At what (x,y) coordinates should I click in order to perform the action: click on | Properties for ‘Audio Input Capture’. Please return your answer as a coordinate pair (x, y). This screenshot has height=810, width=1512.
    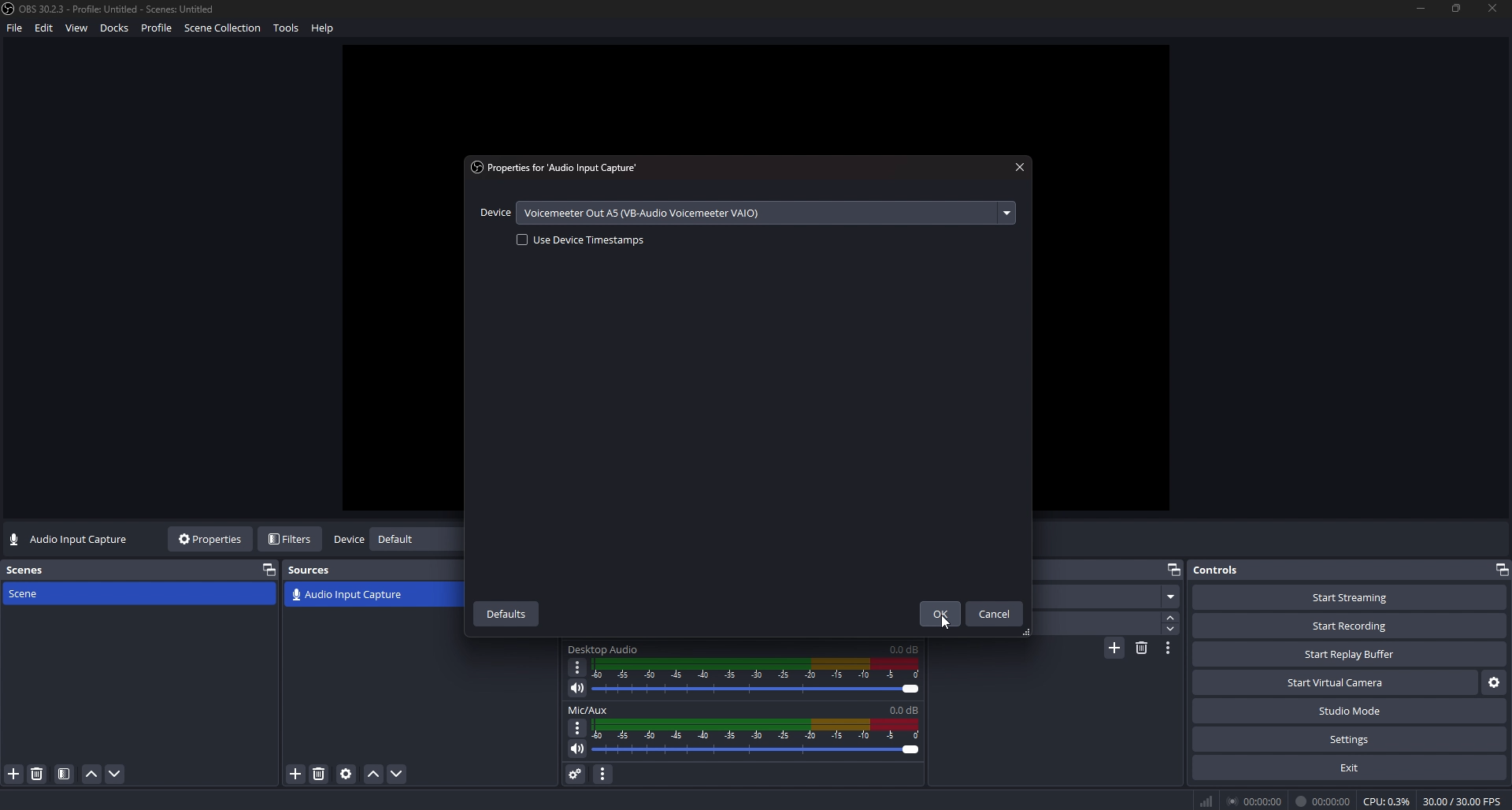
    Looking at the image, I should click on (578, 168).